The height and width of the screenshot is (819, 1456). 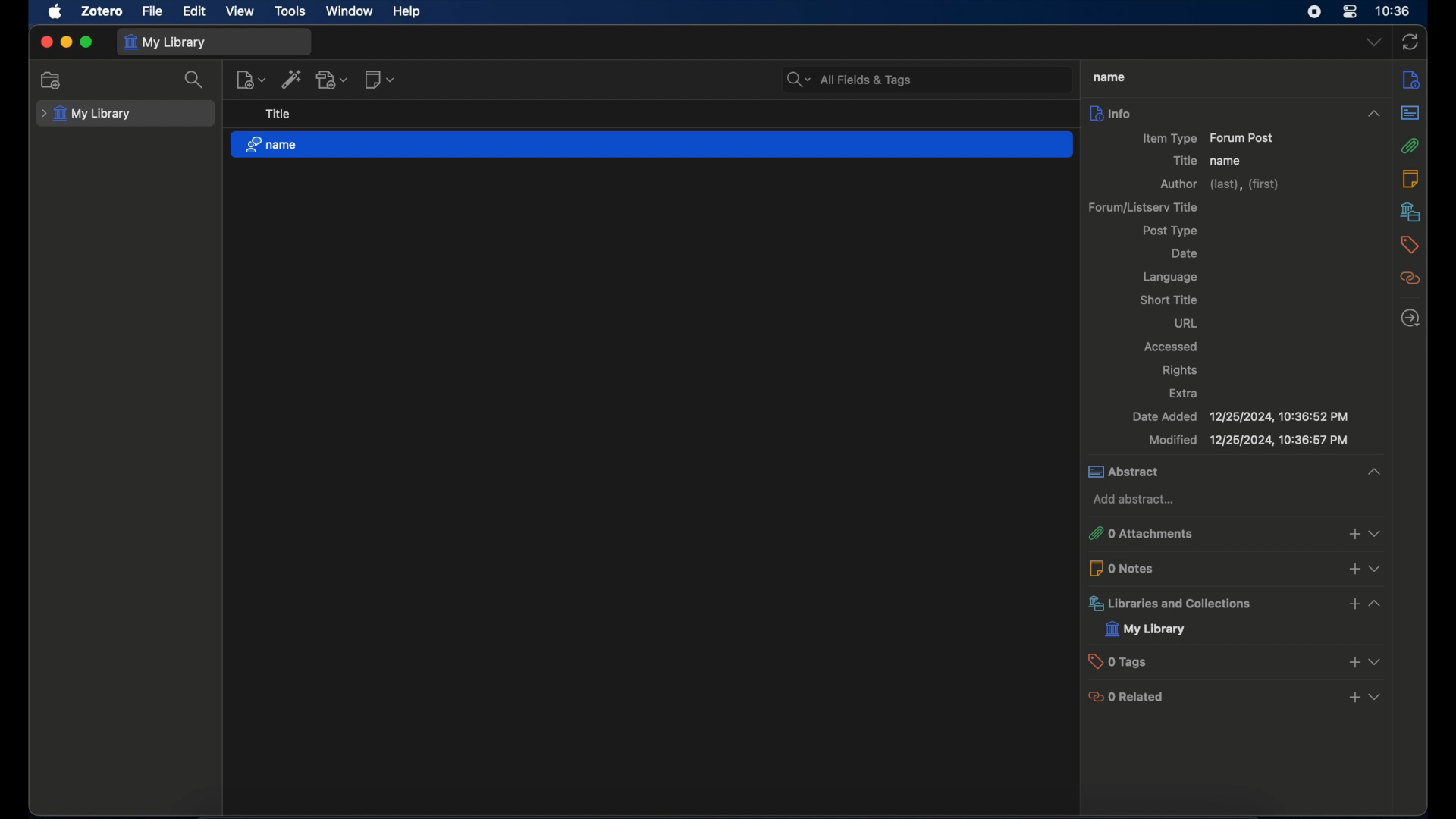 I want to click on item type, so click(x=1210, y=139).